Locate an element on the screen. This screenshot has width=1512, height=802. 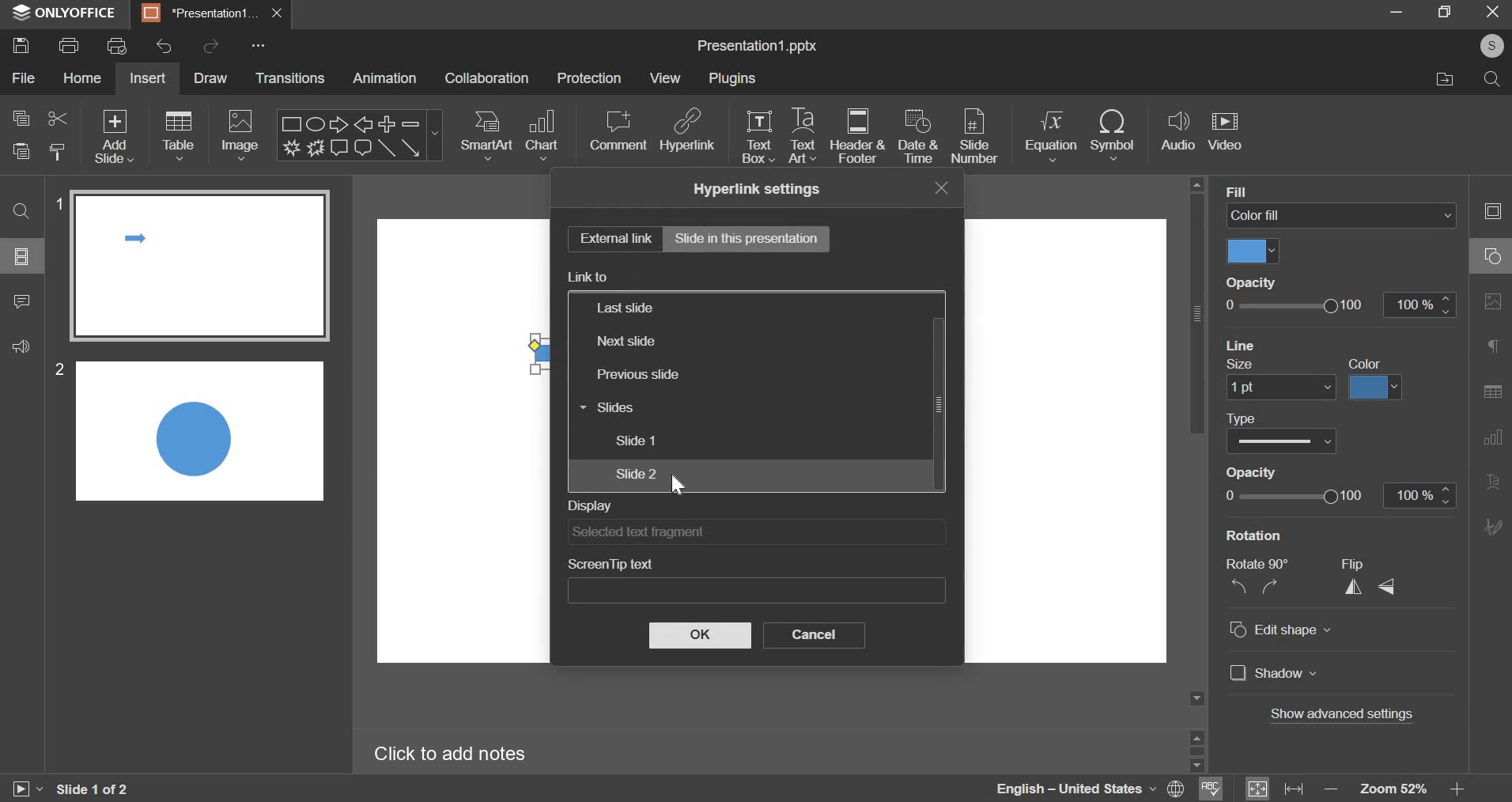
shadow is located at coordinates (1277, 674).